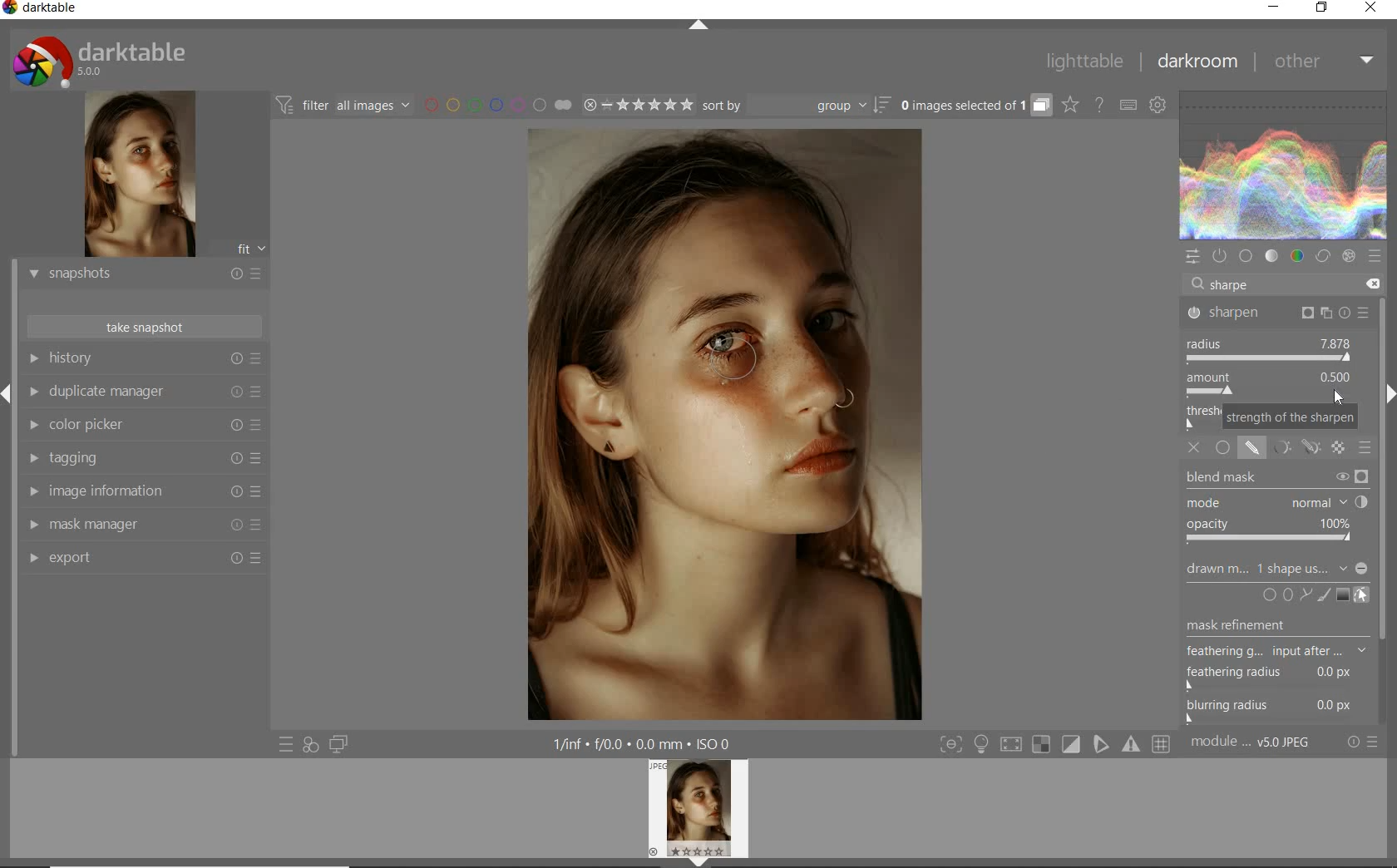 The height and width of the screenshot is (868, 1397). What do you see at coordinates (1284, 165) in the screenshot?
I see `waveform` at bounding box center [1284, 165].